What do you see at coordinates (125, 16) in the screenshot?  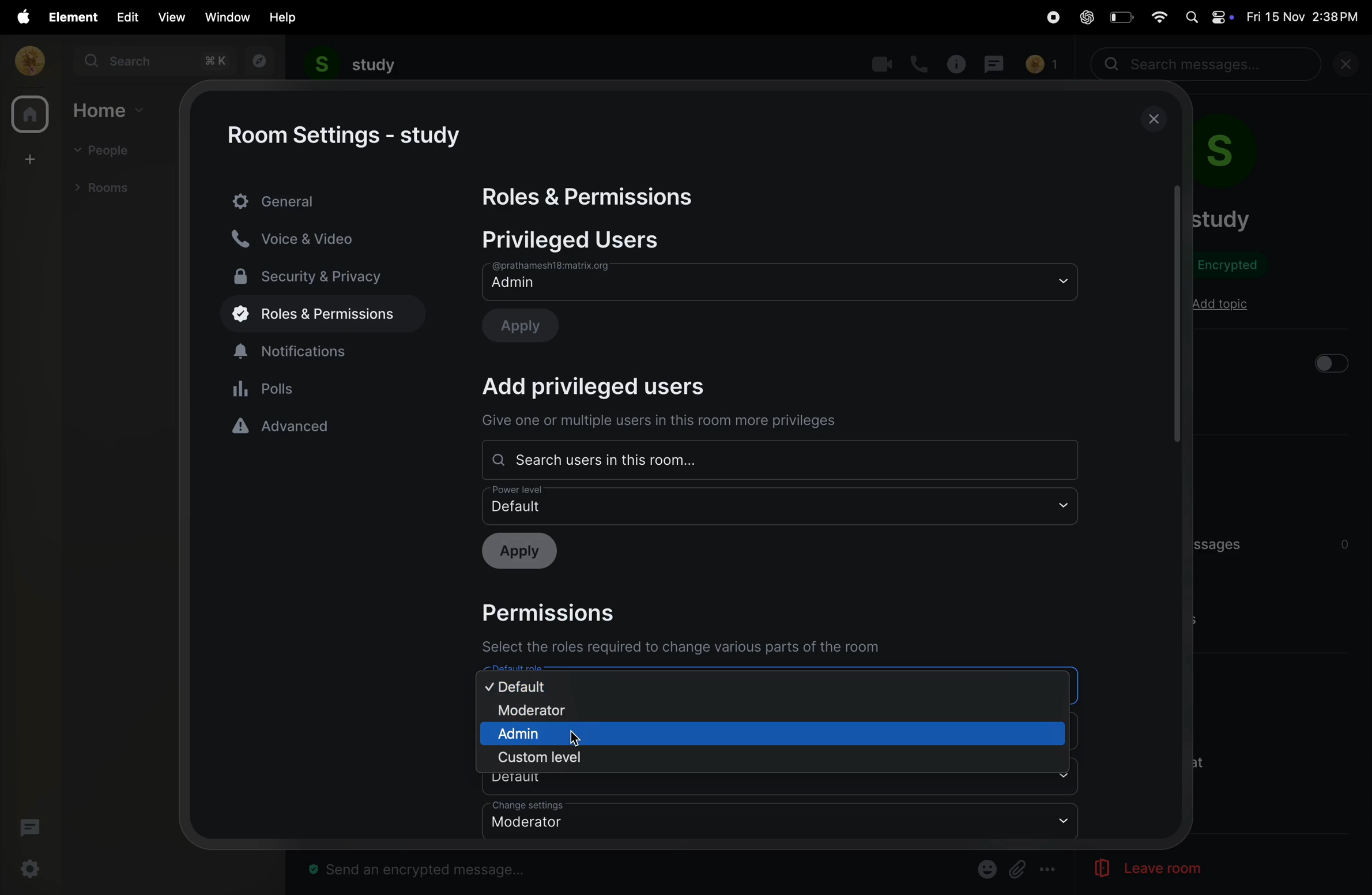 I see `edit` at bounding box center [125, 16].